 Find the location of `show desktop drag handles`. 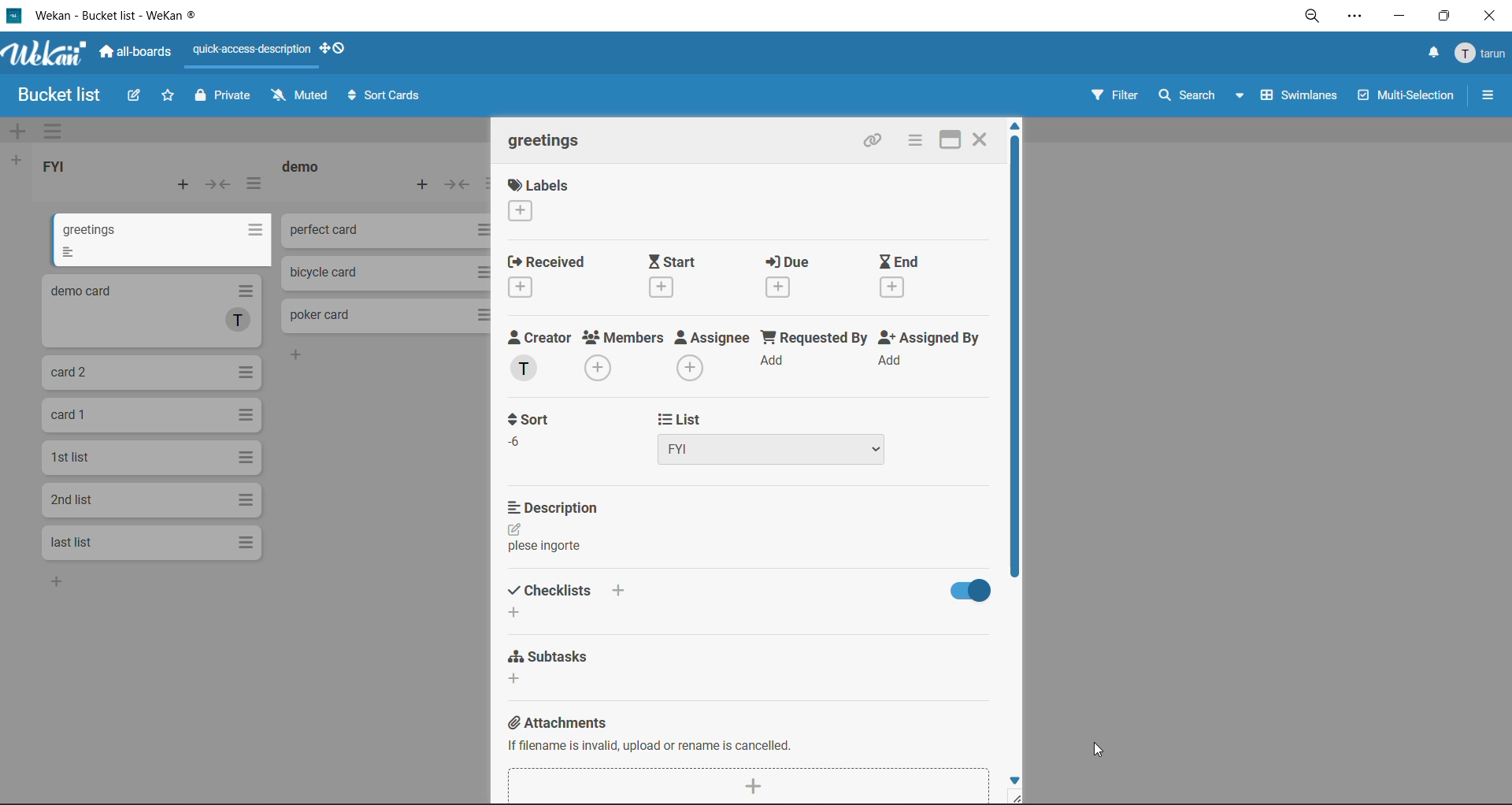

show desktop drag handles is located at coordinates (338, 46).